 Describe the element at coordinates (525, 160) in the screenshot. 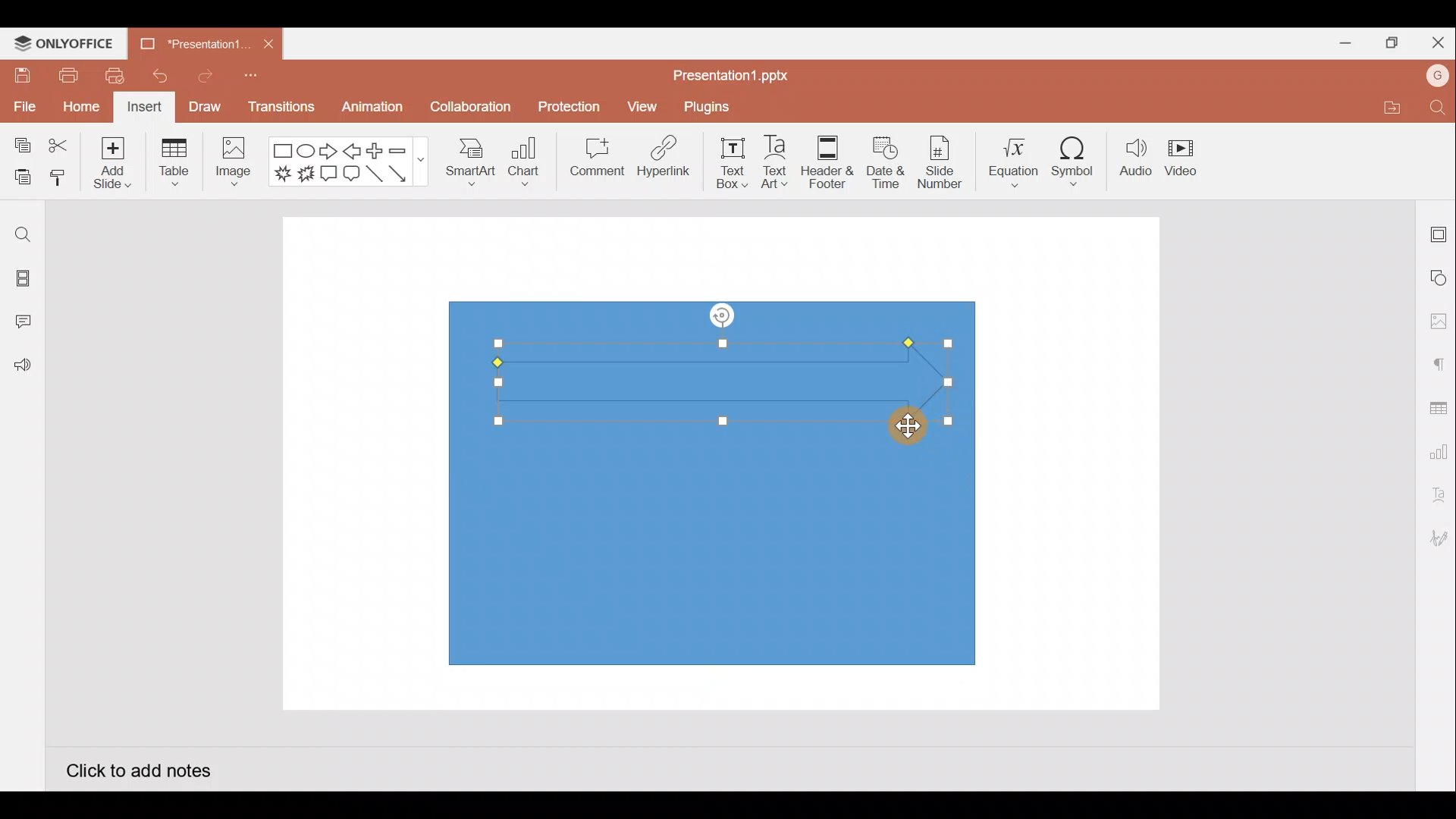

I see `Chart` at that location.